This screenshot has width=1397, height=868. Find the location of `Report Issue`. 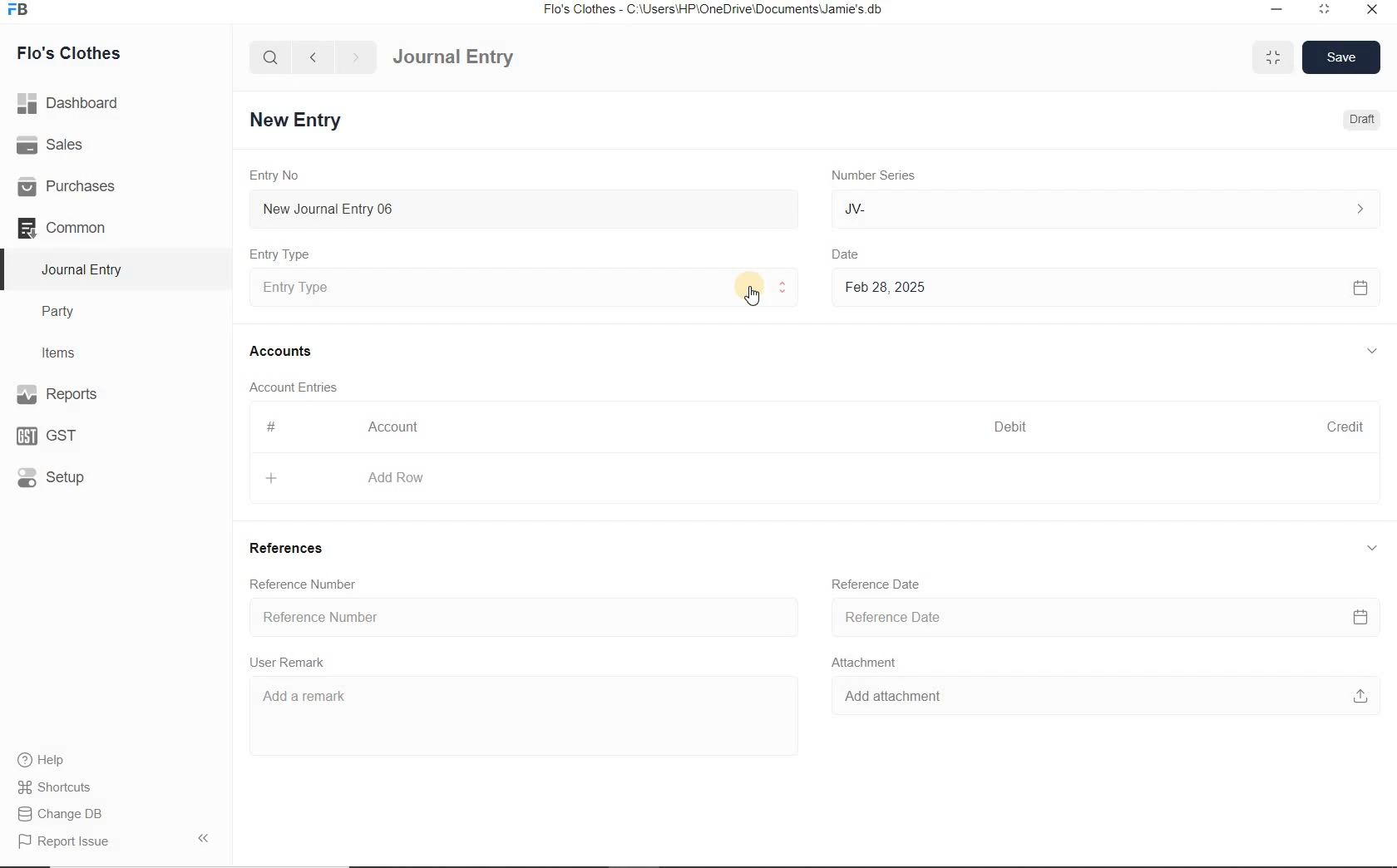

Report Issue is located at coordinates (63, 841).